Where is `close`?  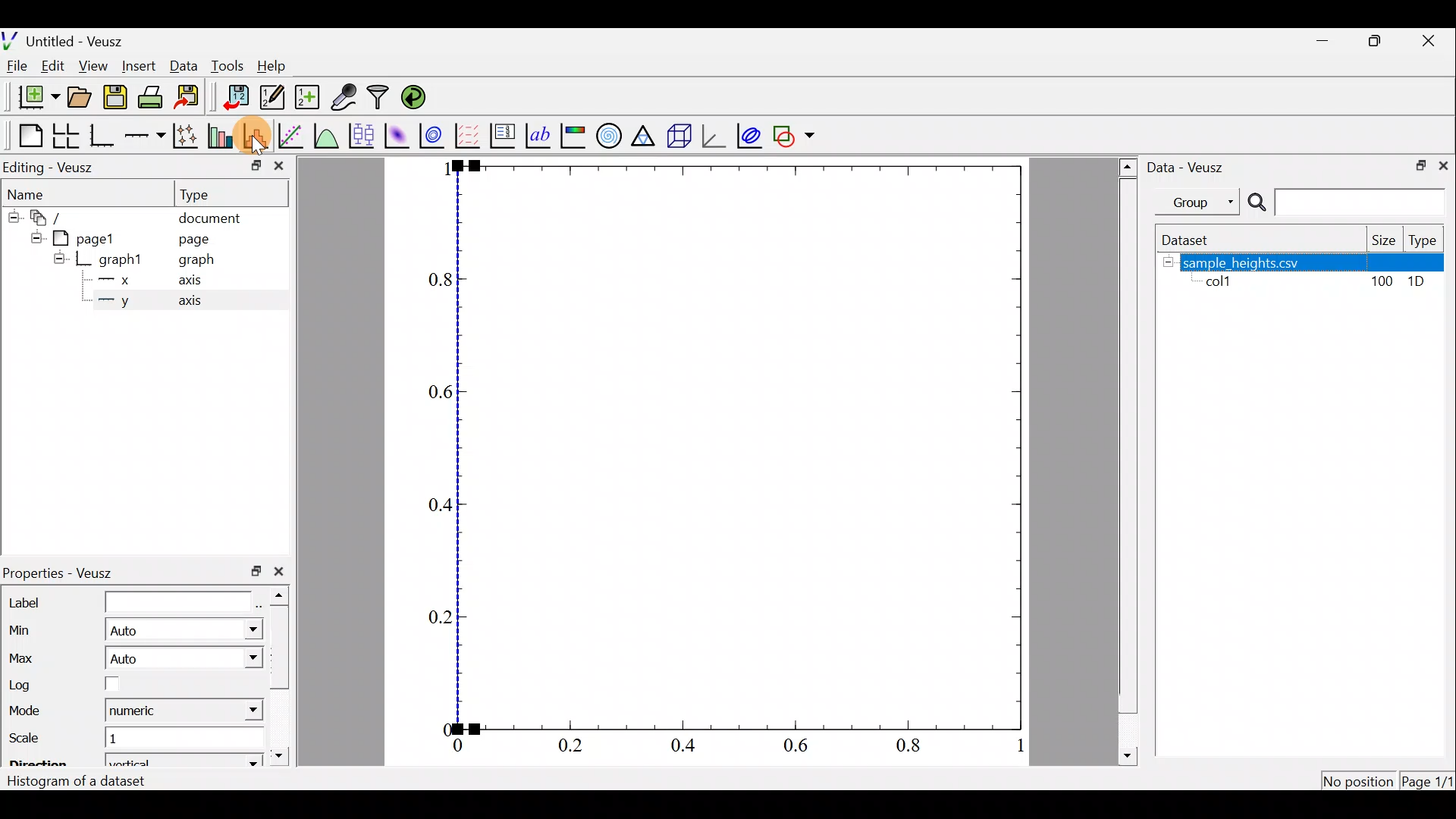
close is located at coordinates (1446, 165).